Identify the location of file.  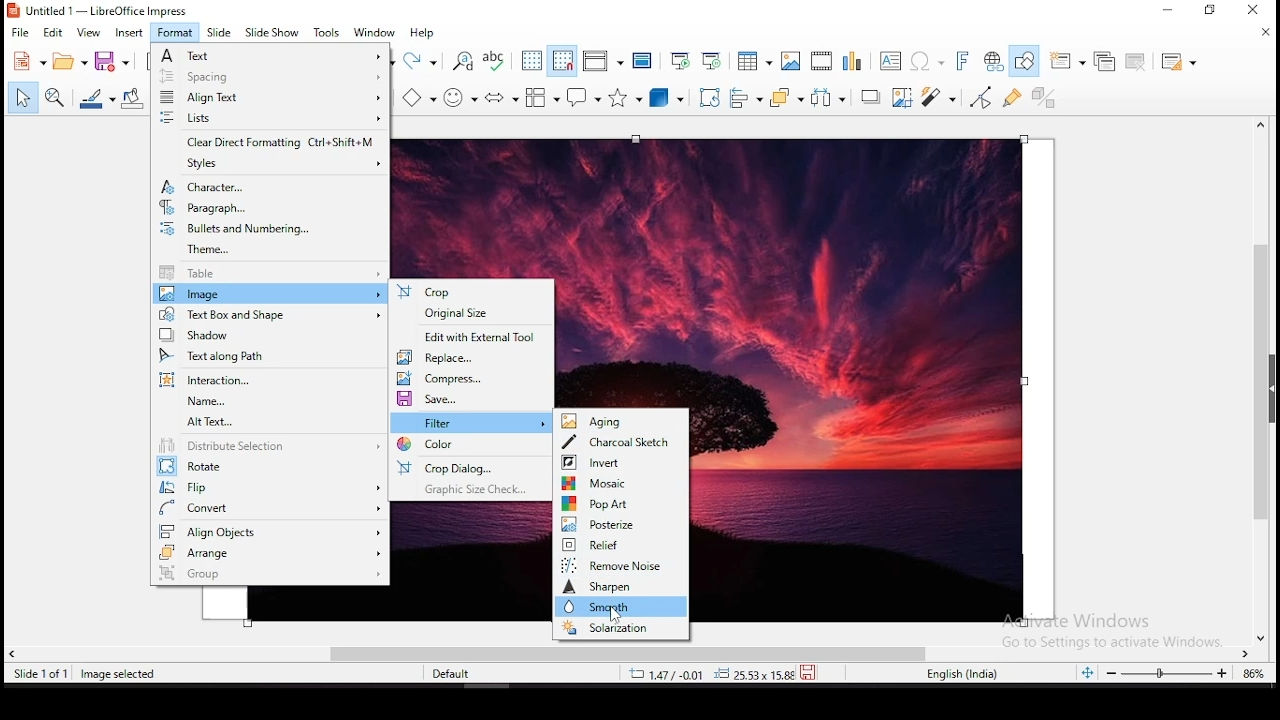
(18, 33).